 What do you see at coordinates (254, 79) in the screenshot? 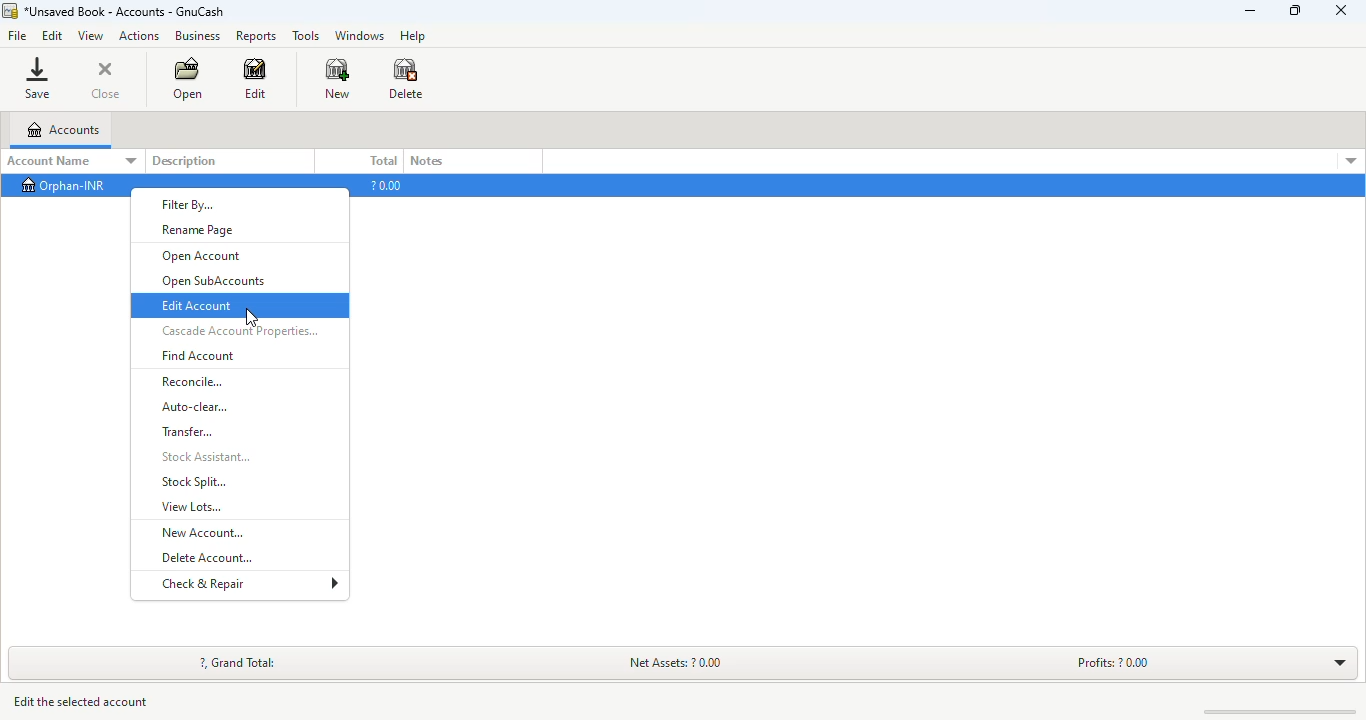
I see `edit` at bounding box center [254, 79].